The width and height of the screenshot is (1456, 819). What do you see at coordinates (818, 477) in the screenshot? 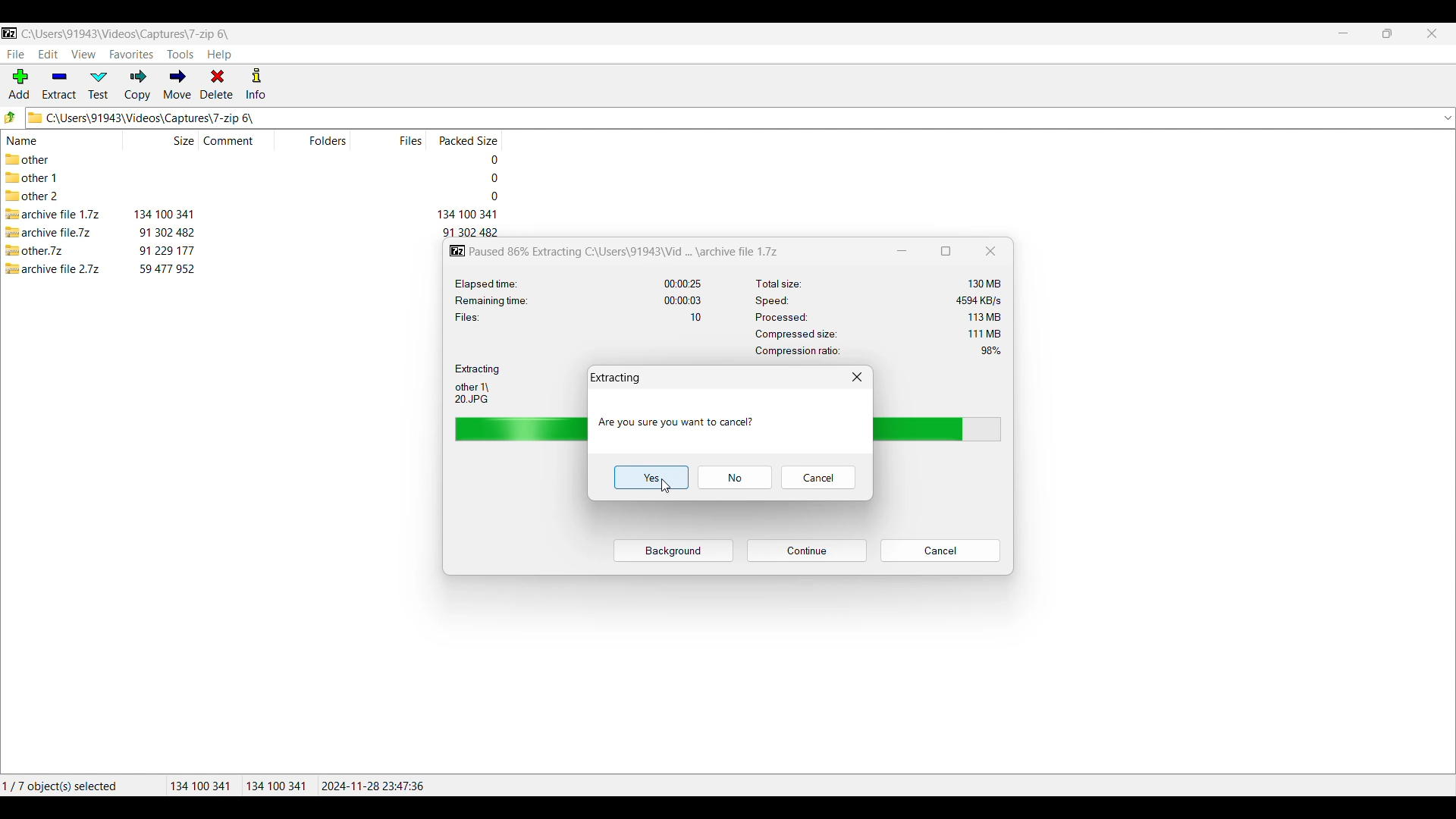
I see `Cancel` at bounding box center [818, 477].